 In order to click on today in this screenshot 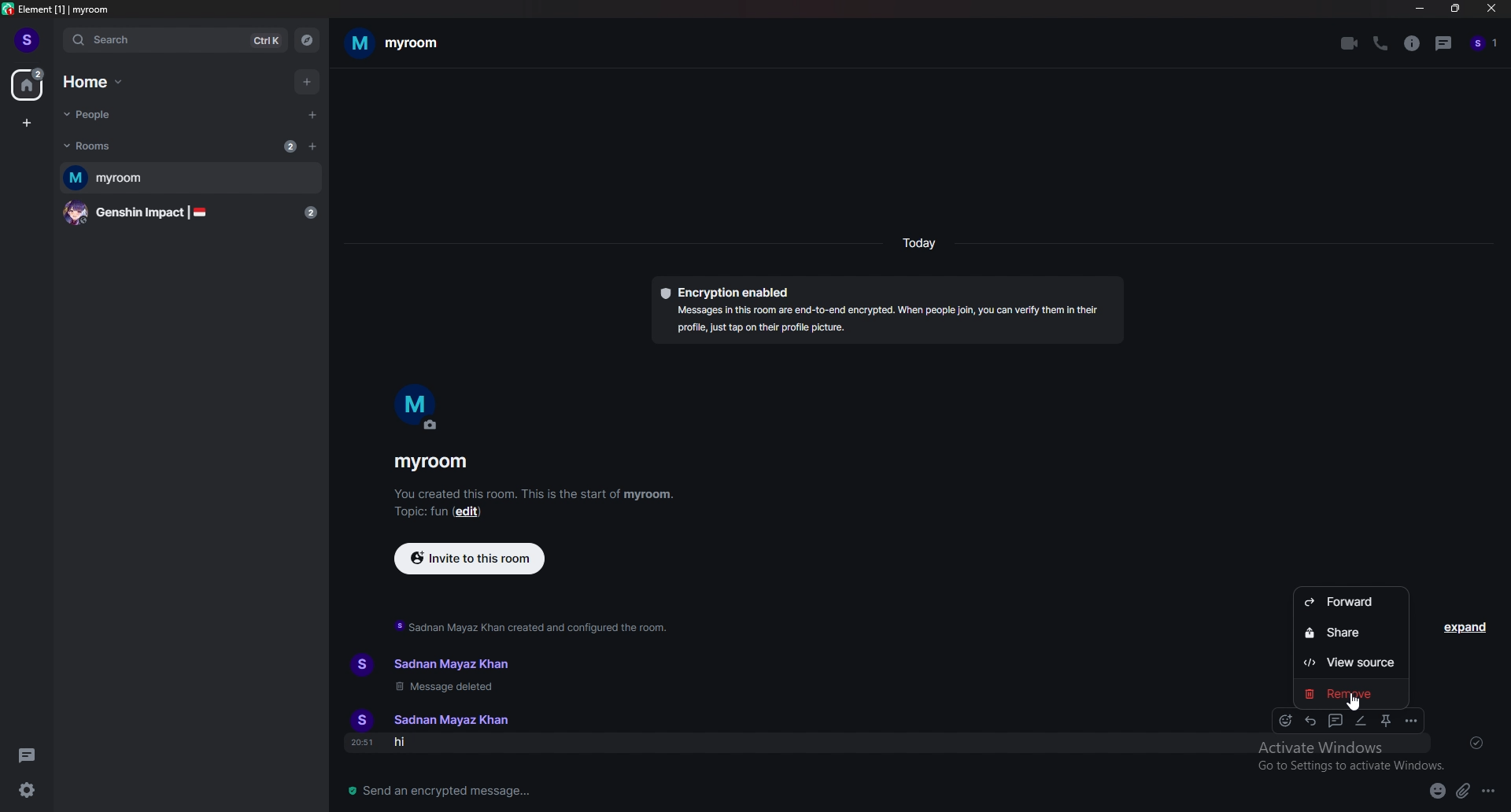, I will do `click(918, 243)`.